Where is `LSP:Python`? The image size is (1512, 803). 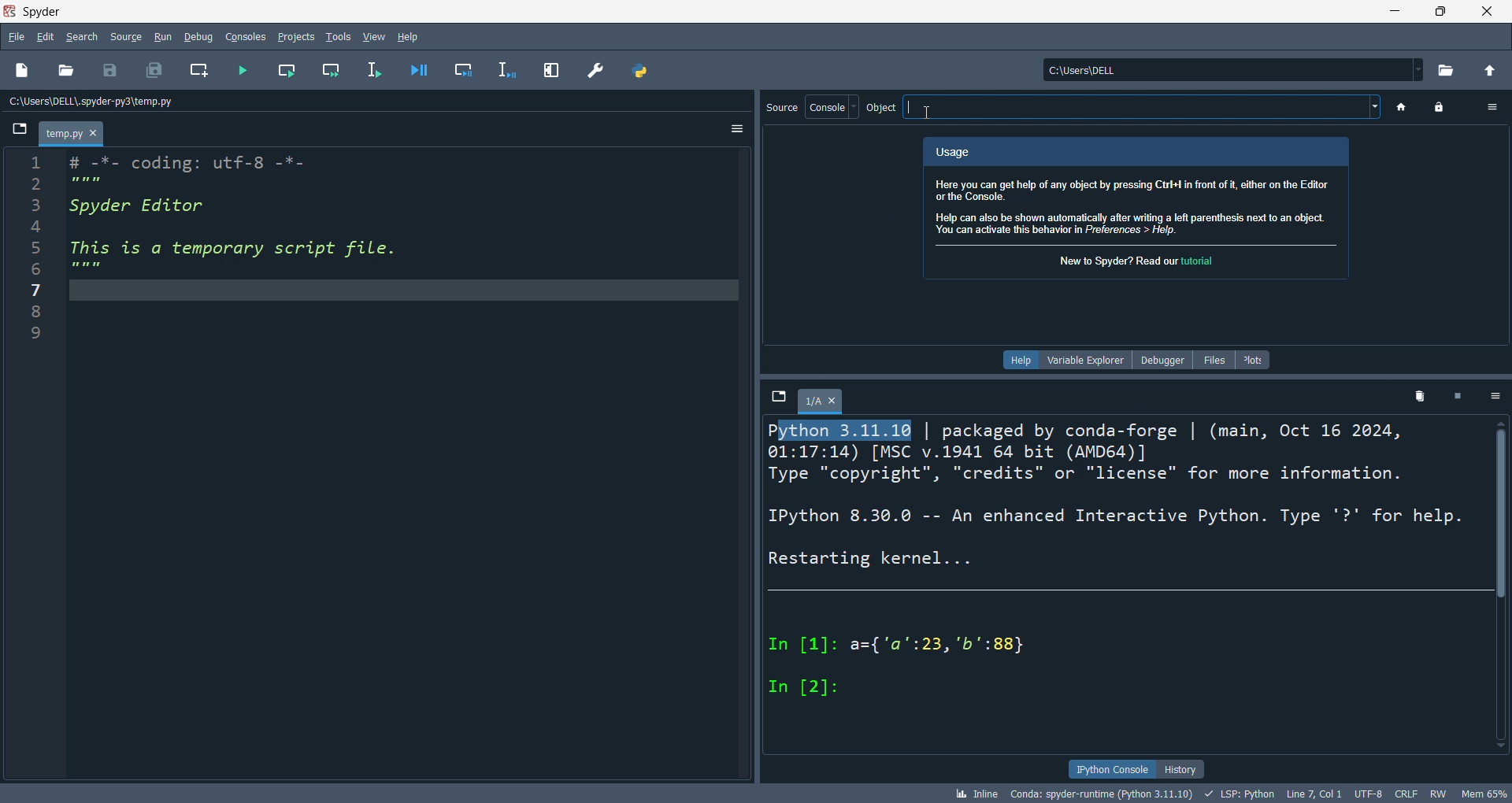 LSP:Python is located at coordinates (1242, 794).